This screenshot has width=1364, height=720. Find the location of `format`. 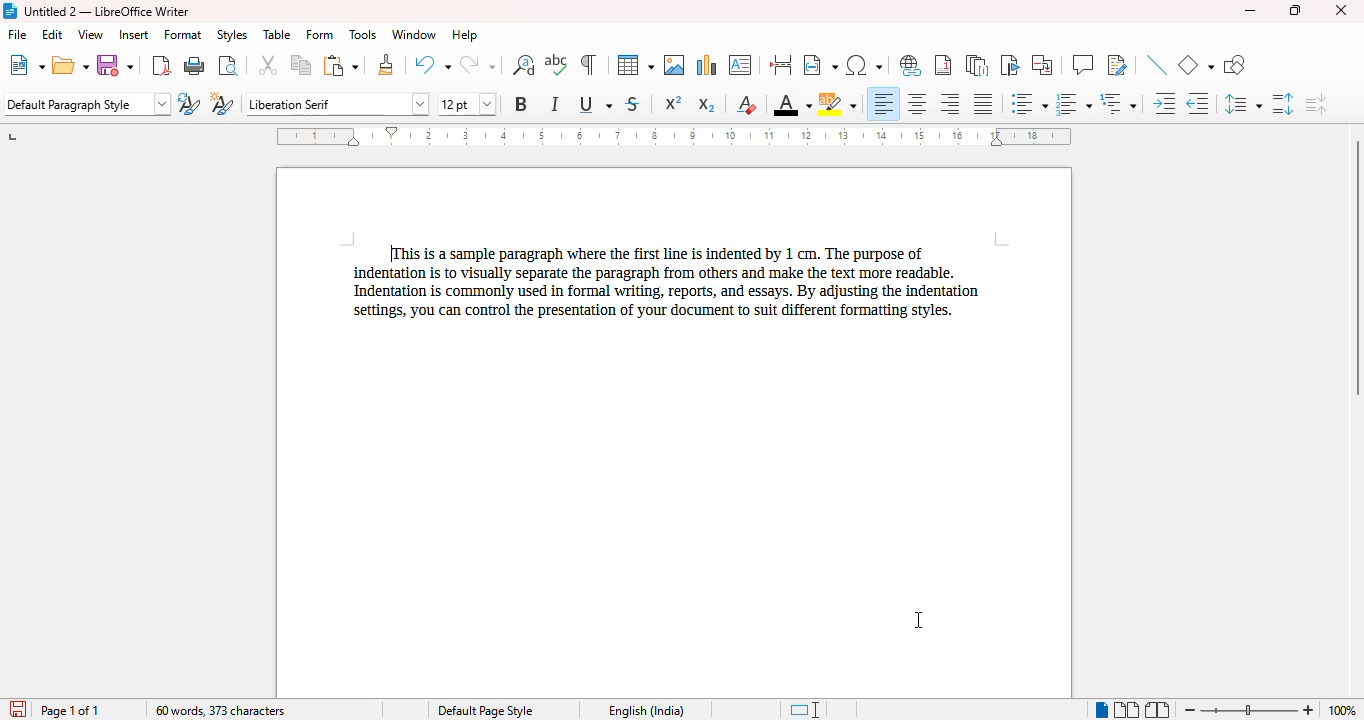

format is located at coordinates (183, 35).